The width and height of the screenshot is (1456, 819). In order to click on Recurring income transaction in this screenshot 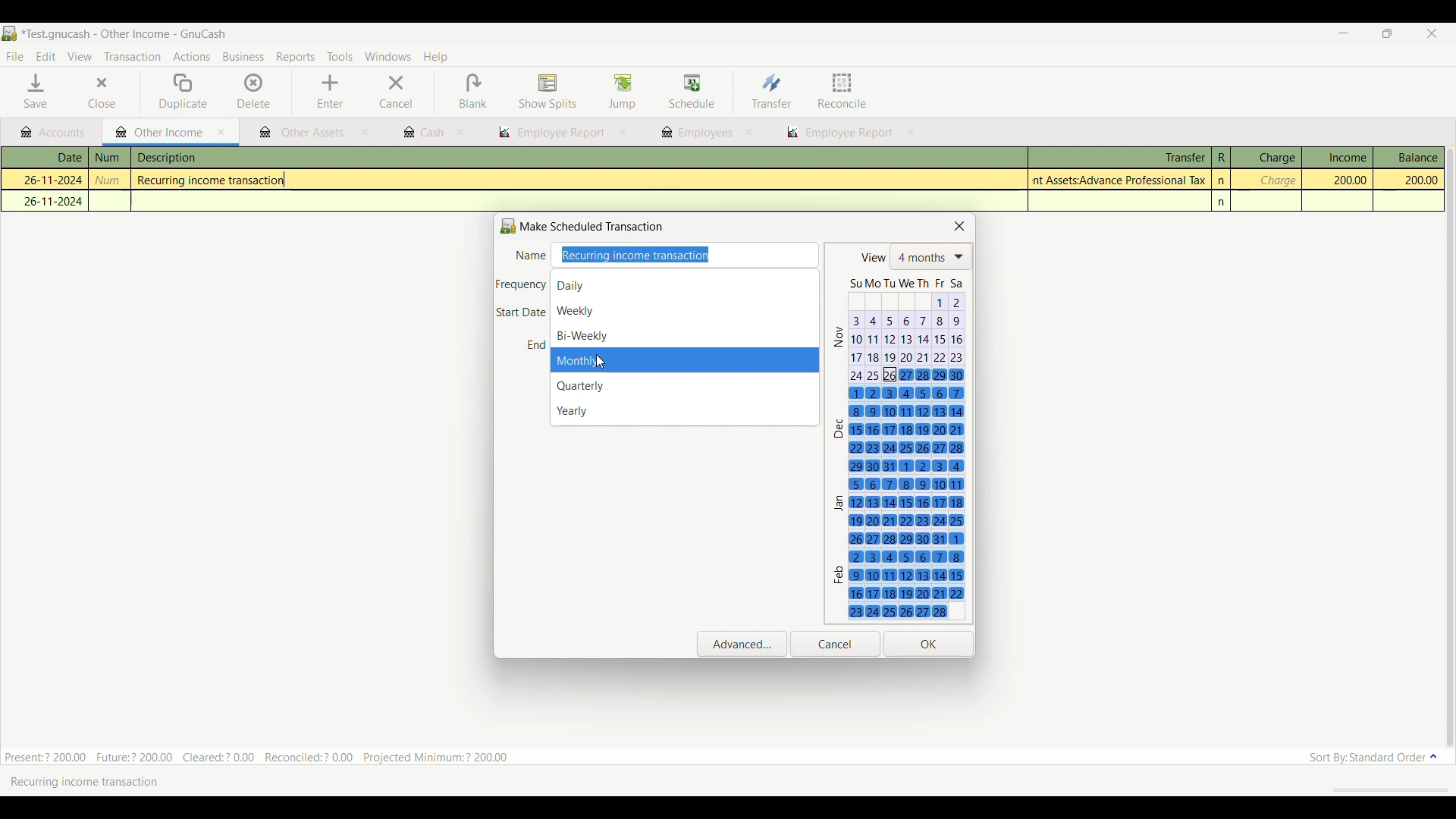, I will do `click(95, 782)`.